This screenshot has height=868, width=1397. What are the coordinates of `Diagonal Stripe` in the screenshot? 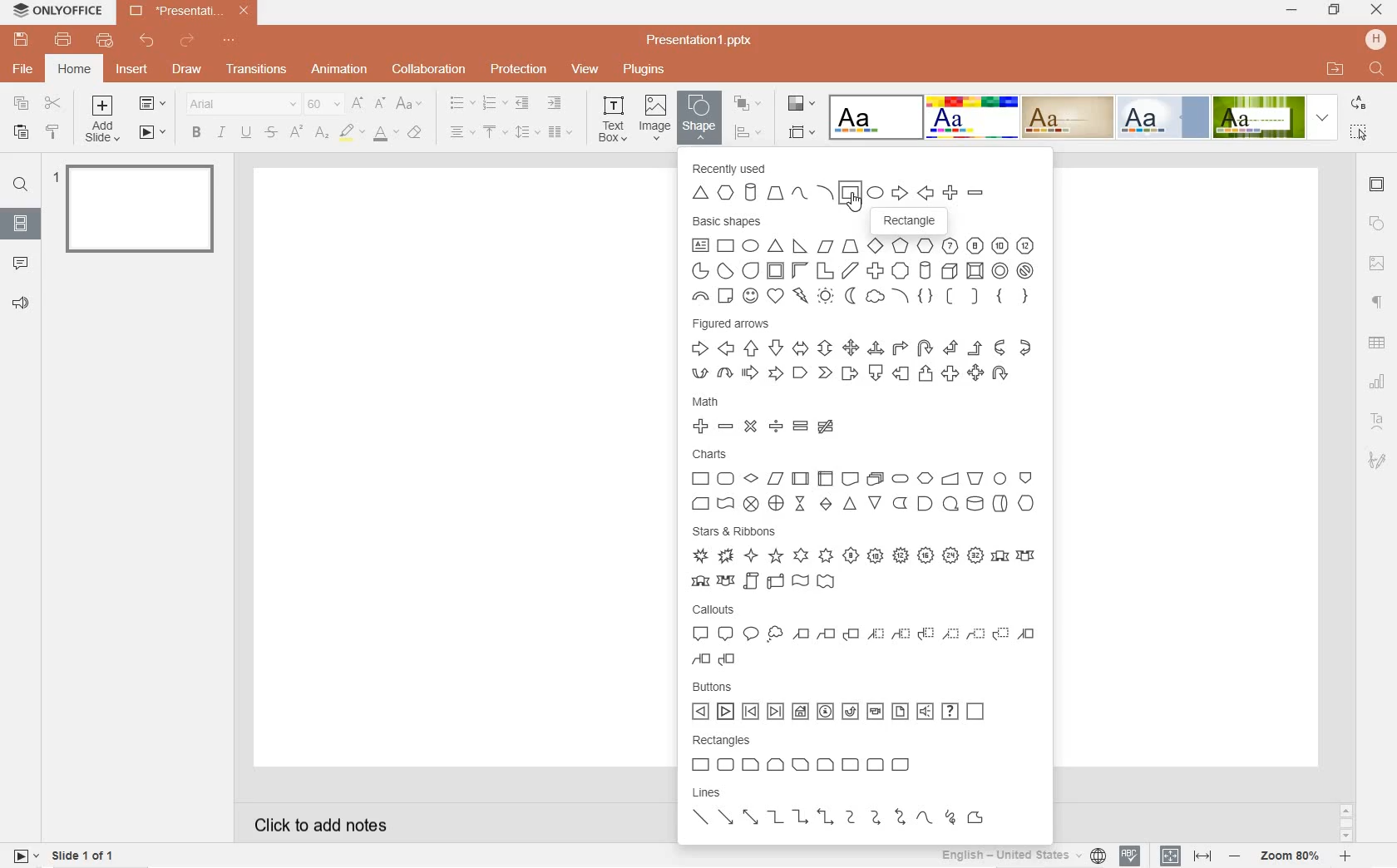 It's located at (851, 272).